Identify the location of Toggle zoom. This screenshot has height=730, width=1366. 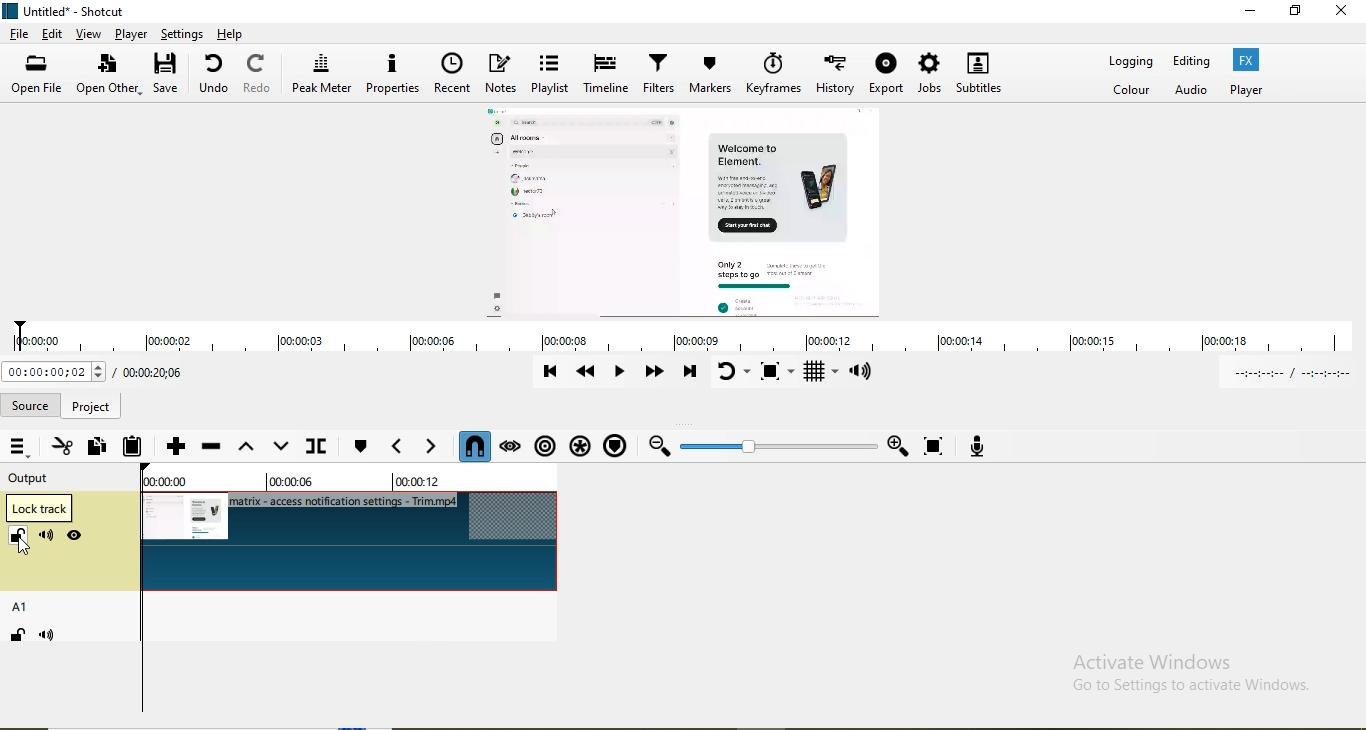
(779, 373).